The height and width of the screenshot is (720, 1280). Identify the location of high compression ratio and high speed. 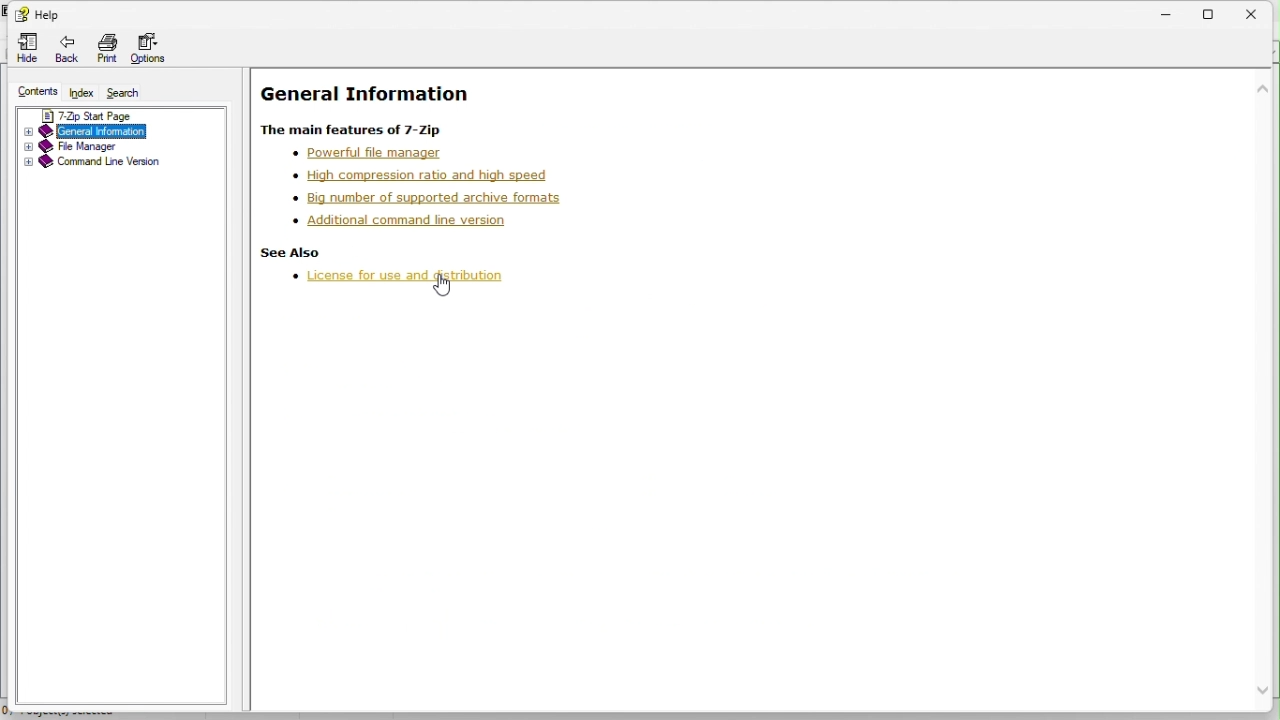
(424, 175).